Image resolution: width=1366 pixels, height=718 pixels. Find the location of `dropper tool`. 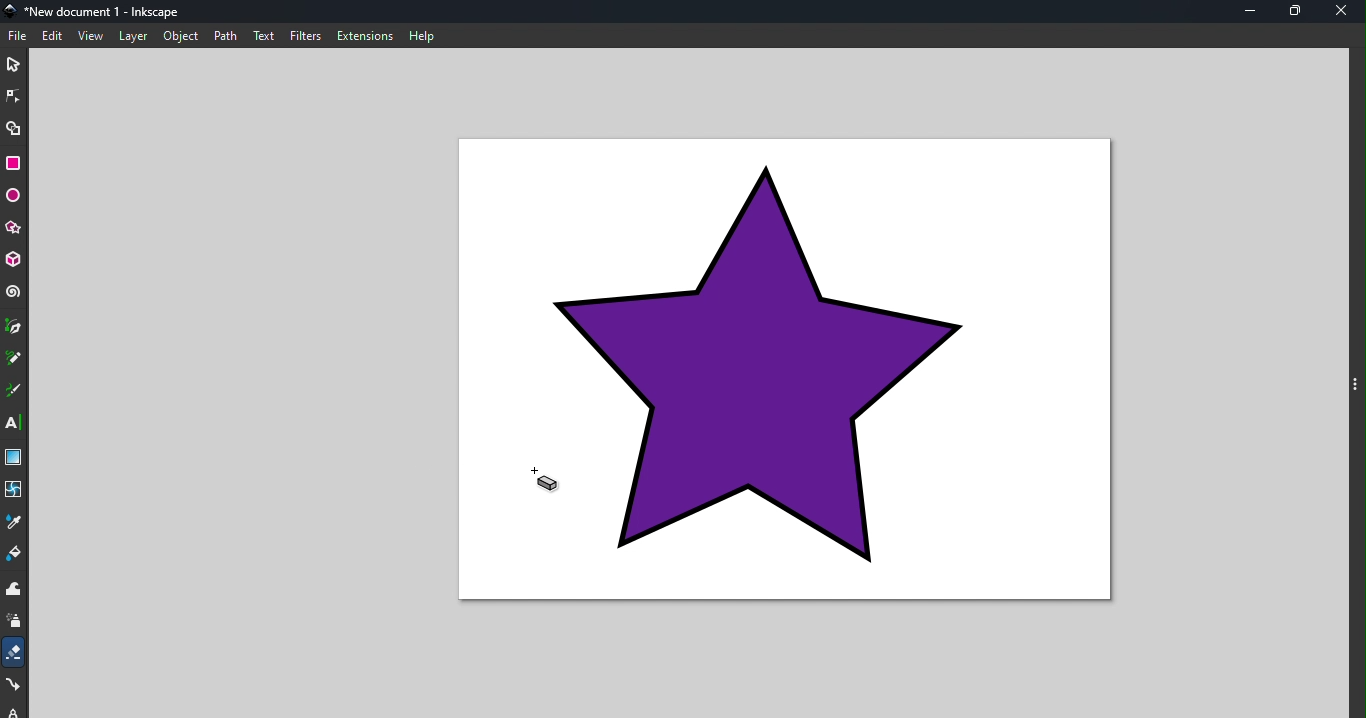

dropper tool is located at coordinates (14, 521).